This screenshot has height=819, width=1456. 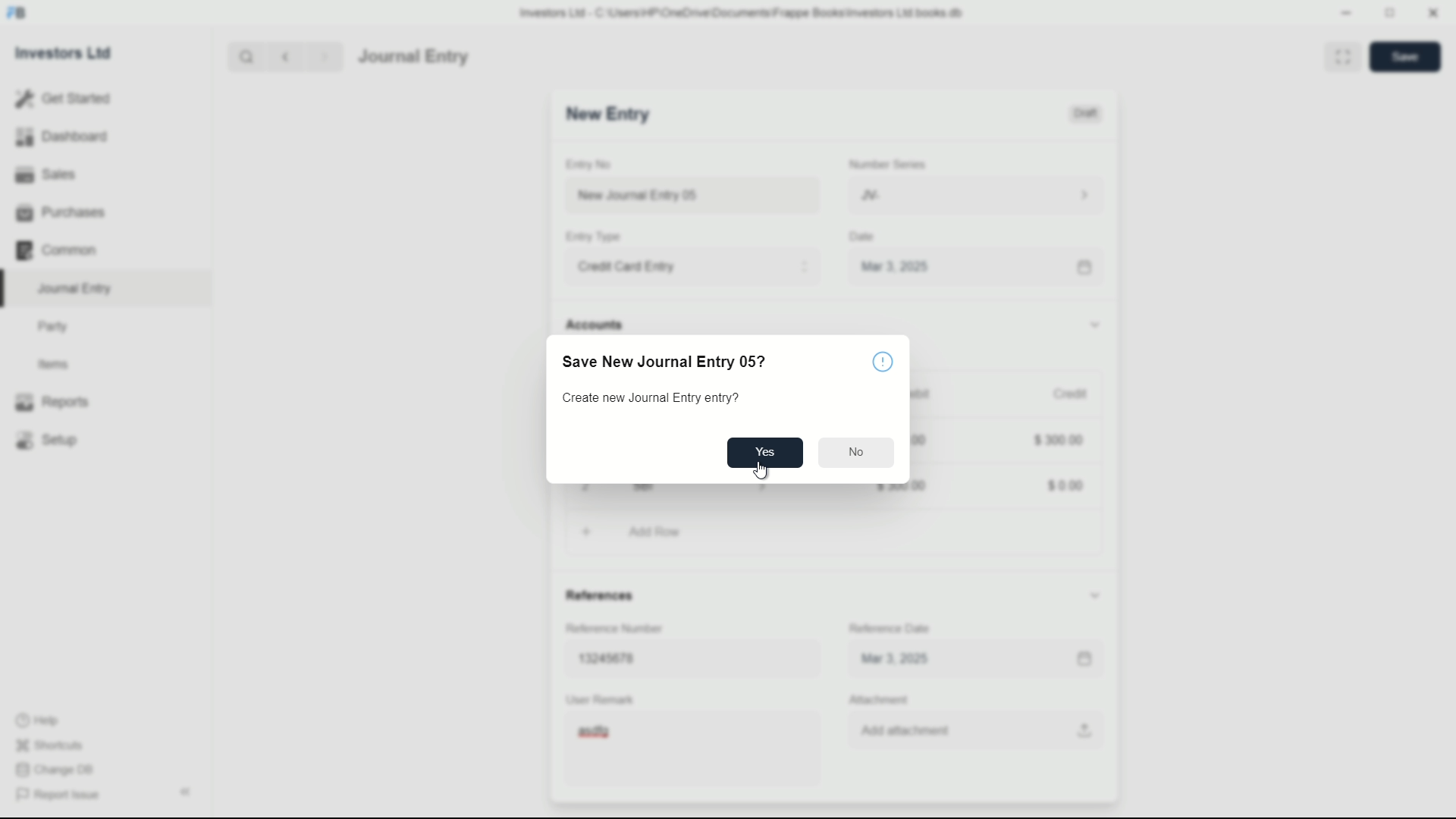 I want to click on No, so click(x=857, y=453).